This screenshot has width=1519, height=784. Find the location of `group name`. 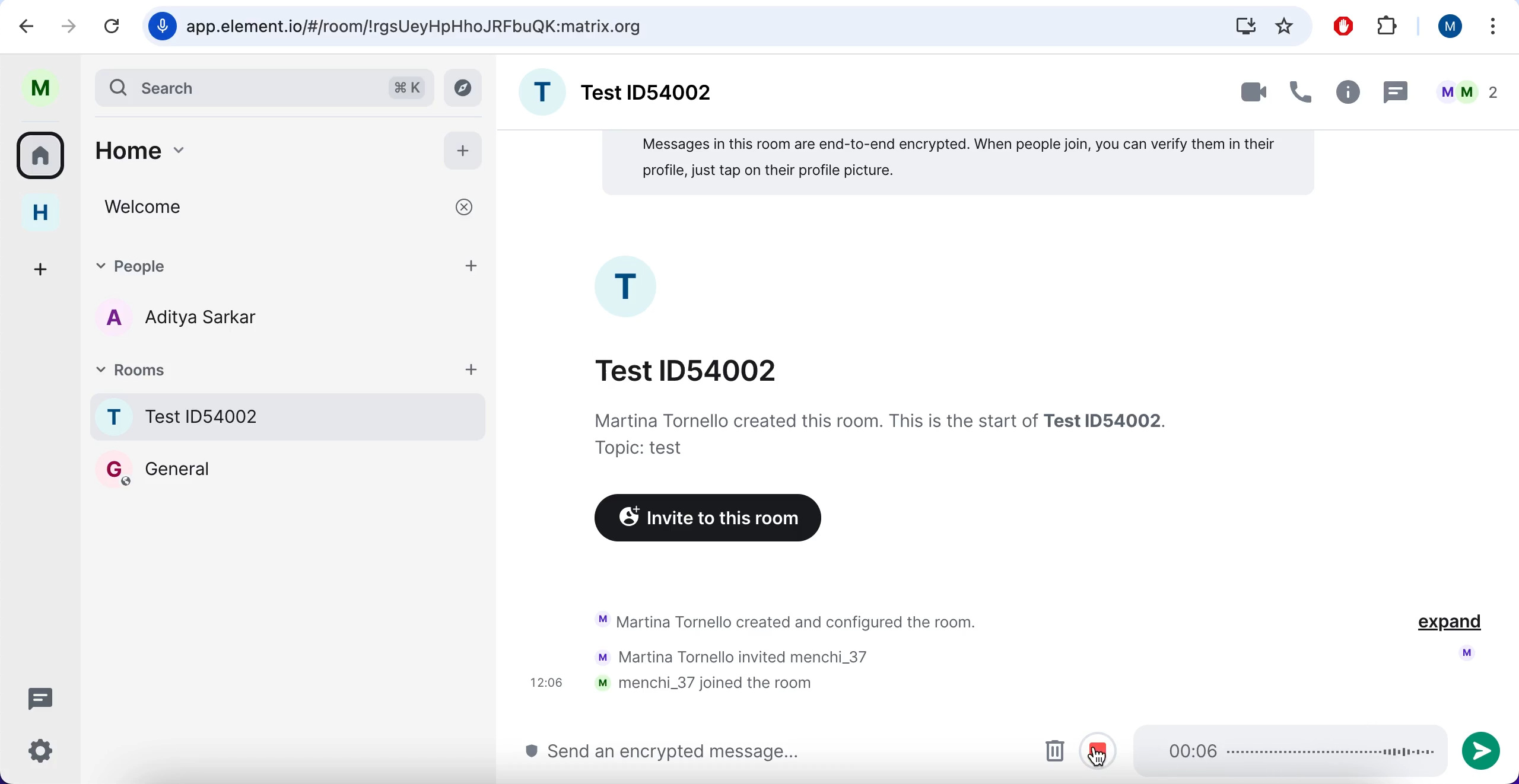

group name is located at coordinates (620, 90).